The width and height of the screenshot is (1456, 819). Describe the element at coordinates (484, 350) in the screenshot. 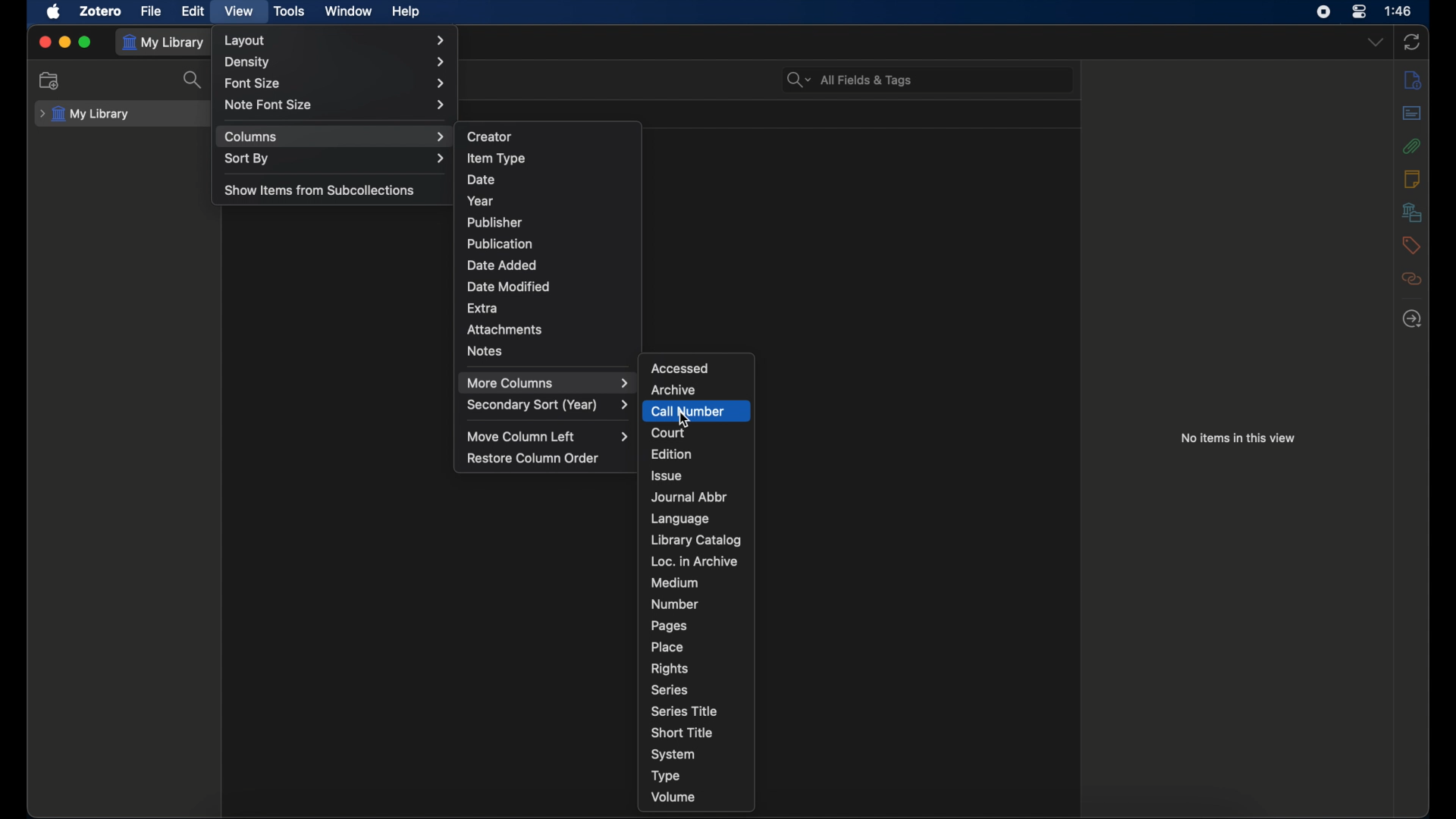

I see `notes` at that location.